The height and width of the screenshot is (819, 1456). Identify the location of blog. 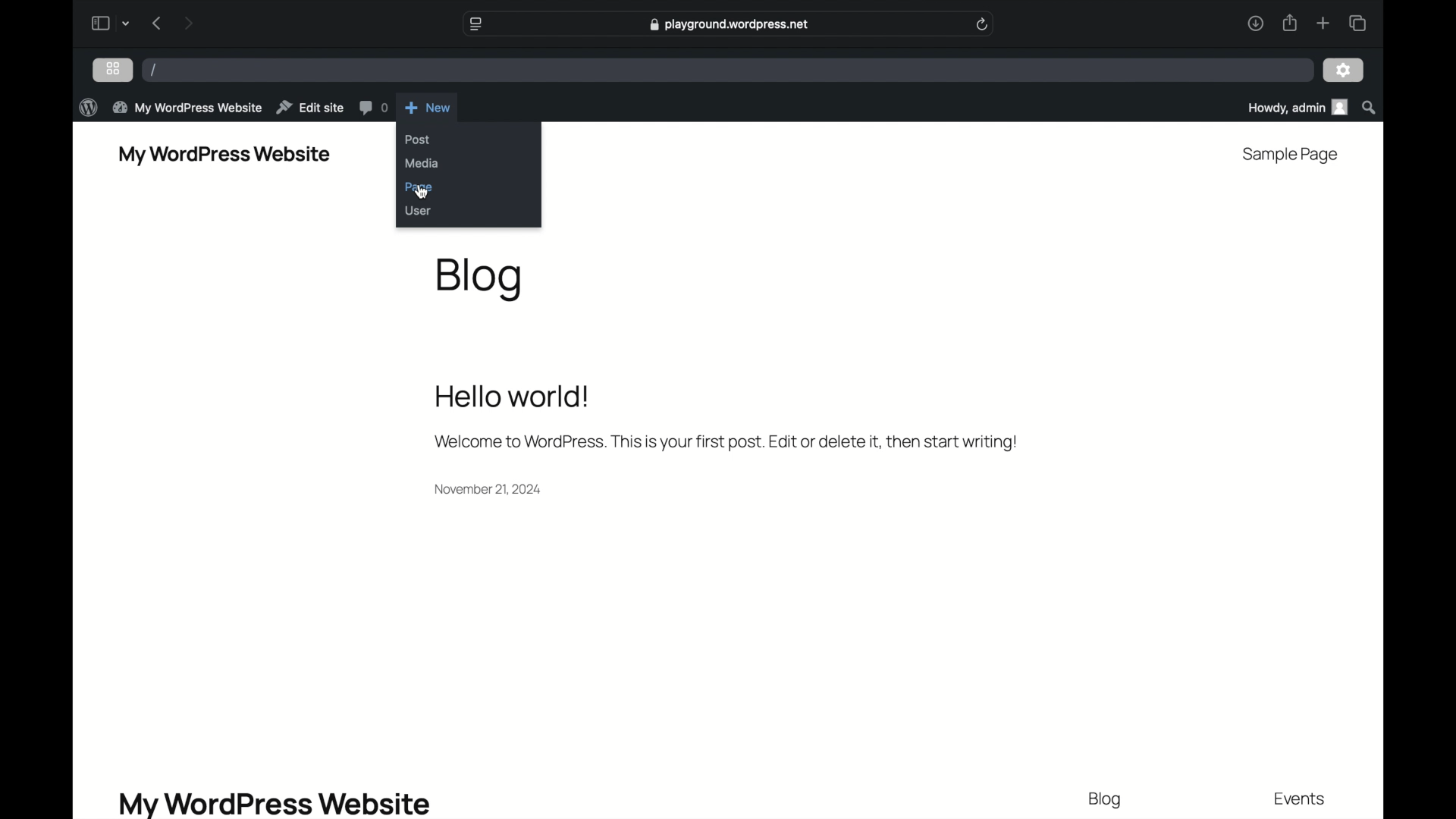
(480, 280).